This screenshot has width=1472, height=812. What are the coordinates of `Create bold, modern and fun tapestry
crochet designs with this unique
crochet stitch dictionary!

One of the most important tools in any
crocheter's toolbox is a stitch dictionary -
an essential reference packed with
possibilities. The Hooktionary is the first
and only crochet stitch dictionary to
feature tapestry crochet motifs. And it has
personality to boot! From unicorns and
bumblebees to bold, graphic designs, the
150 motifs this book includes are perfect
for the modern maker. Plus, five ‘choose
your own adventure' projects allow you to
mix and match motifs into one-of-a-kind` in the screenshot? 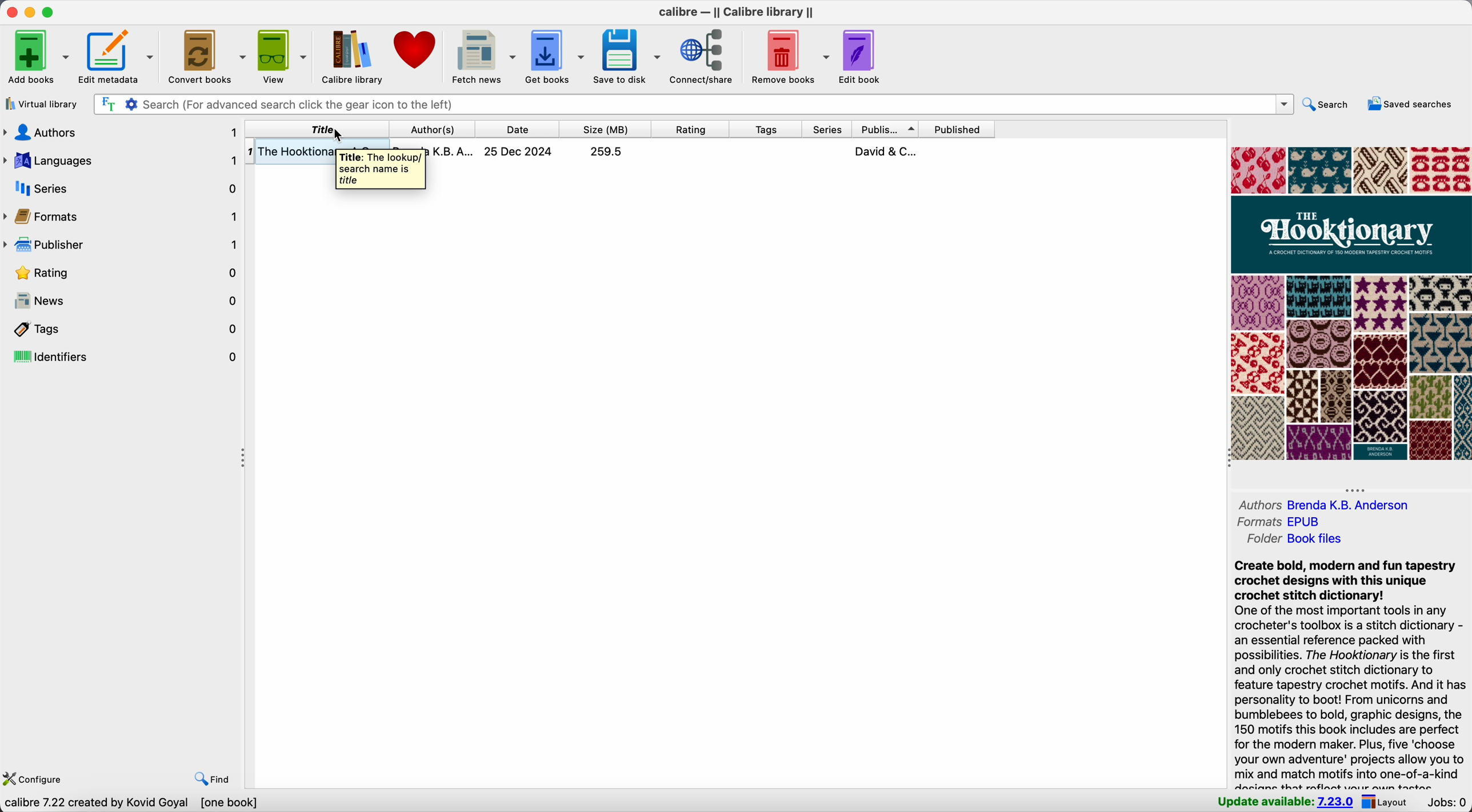 It's located at (1350, 670).